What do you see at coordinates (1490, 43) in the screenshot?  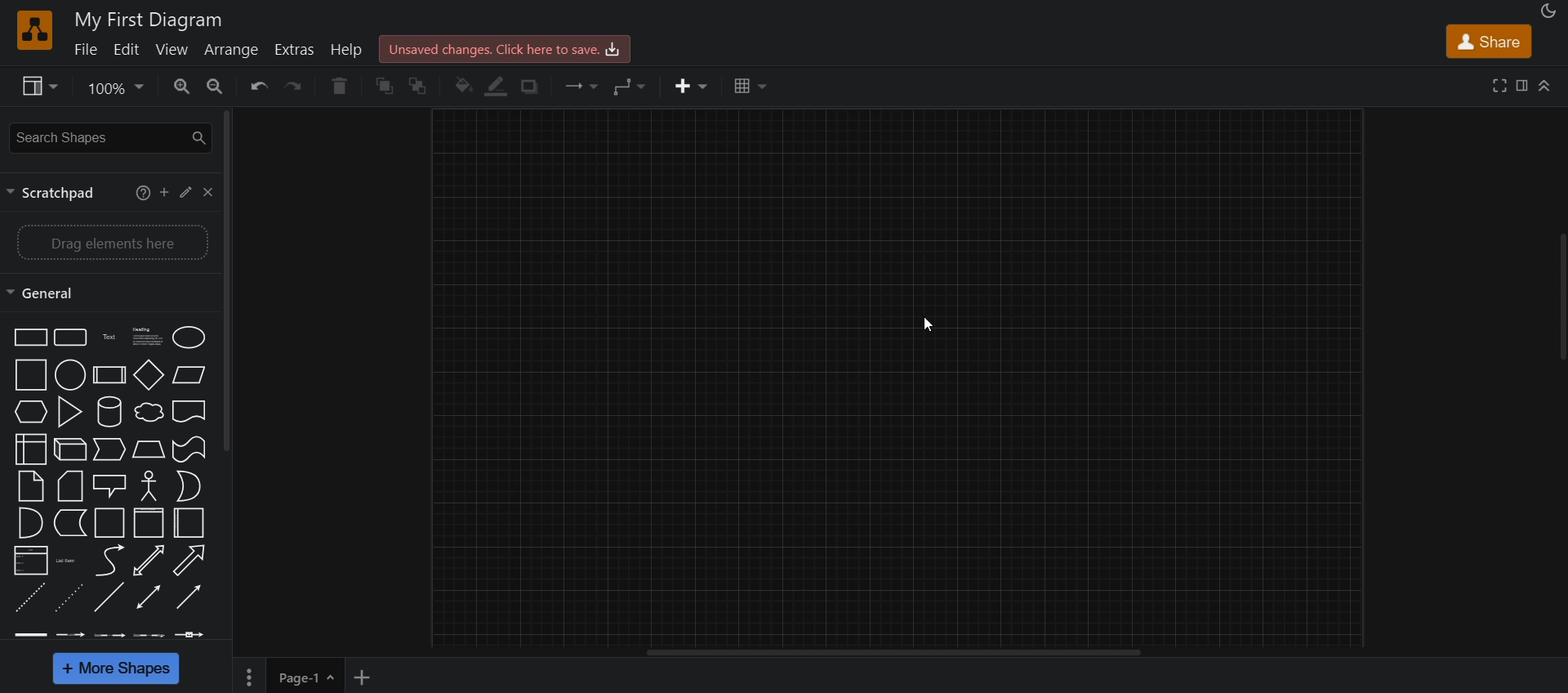 I see `share` at bounding box center [1490, 43].